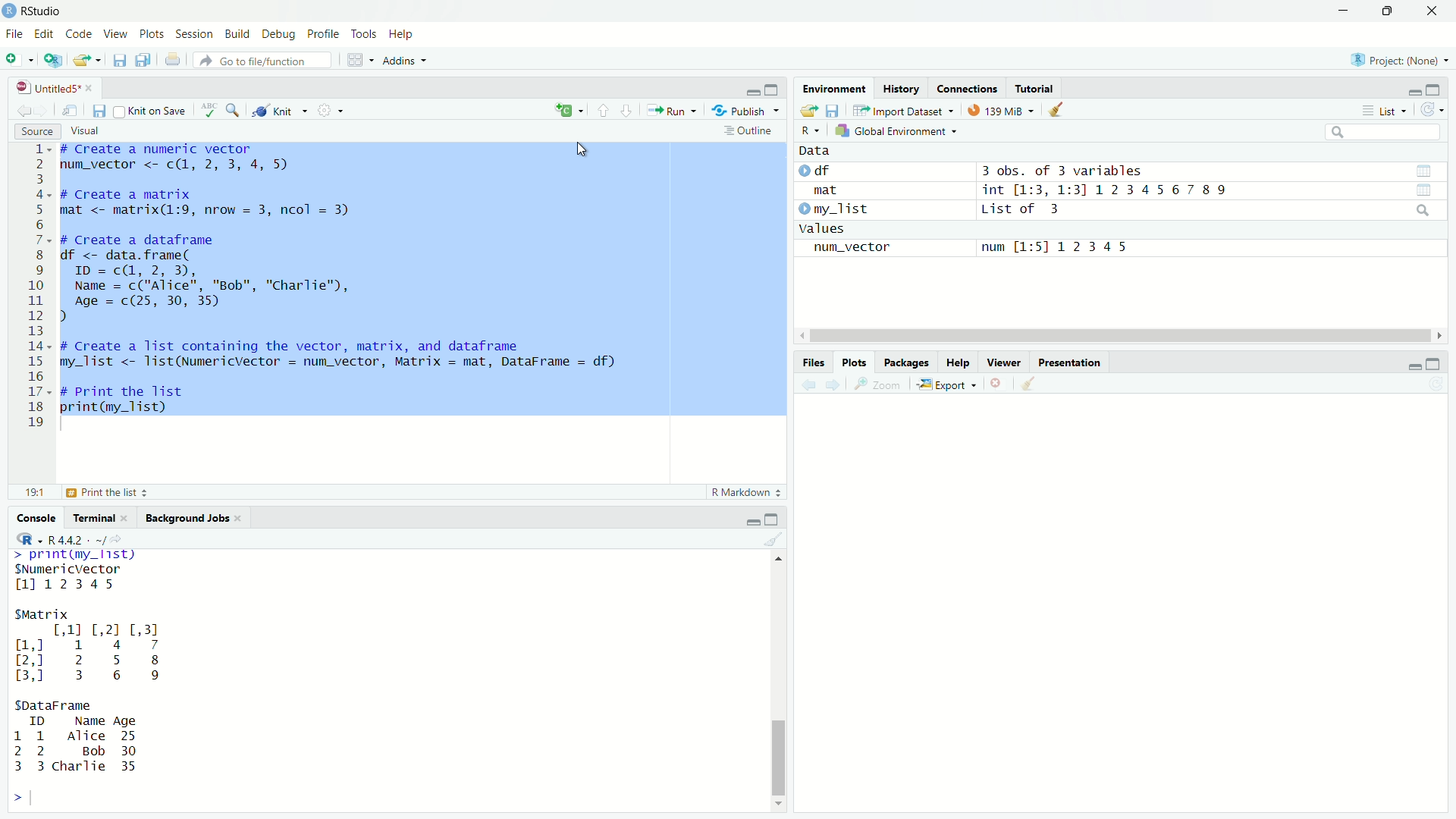 This screenshot has height=819, width=1456. What do you see at coordinates (949, 386) in the screenshot?
I see `Export +` at bounding box center [949, 386].